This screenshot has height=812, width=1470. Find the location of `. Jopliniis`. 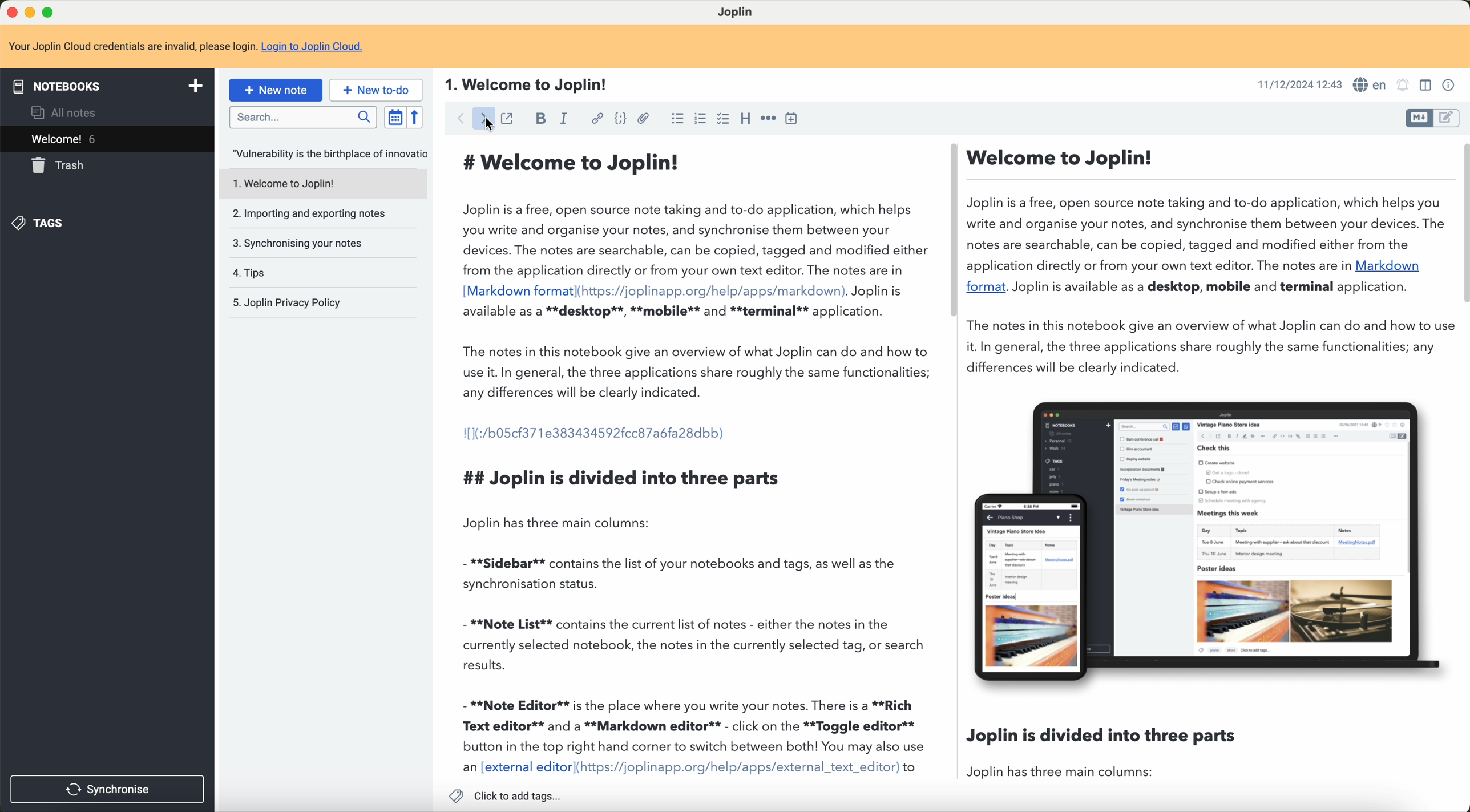

. Jopliniis is located at coordinates (876, 290).